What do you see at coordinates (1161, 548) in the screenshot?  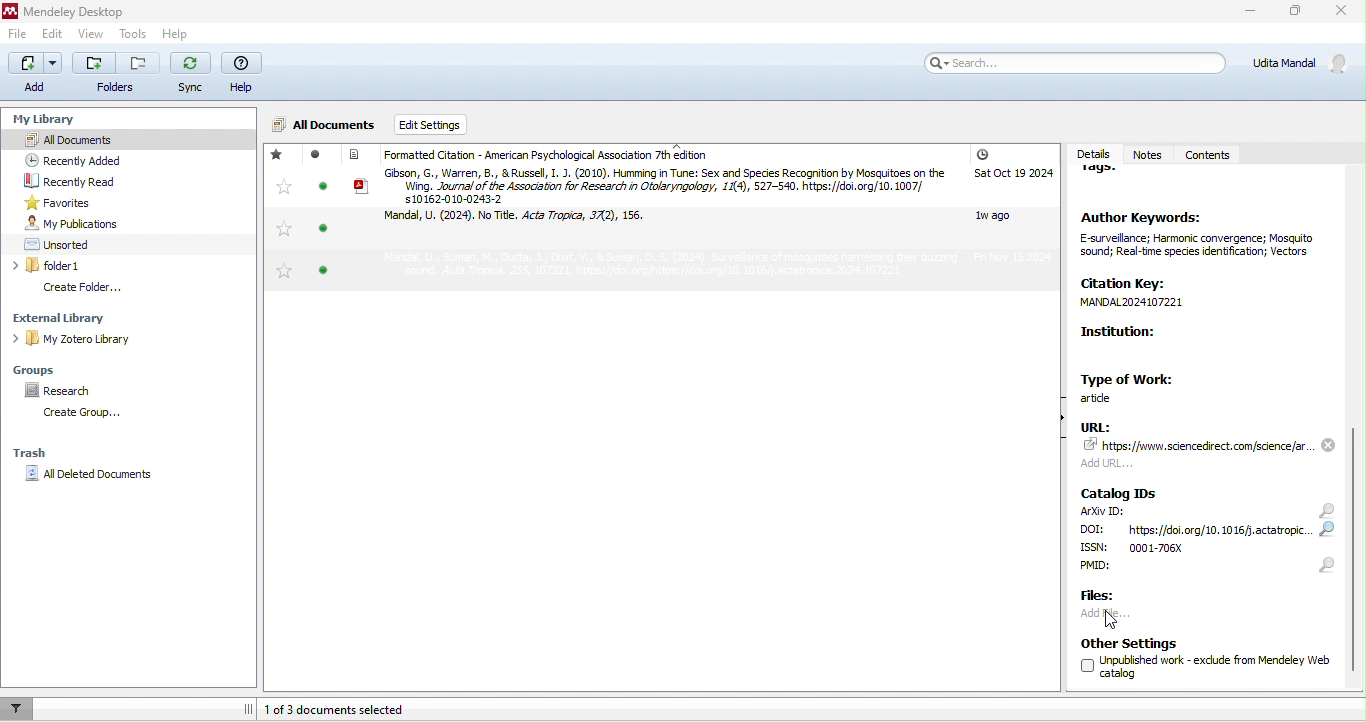 I see `ISSN` at bounding box center [1161, 548].